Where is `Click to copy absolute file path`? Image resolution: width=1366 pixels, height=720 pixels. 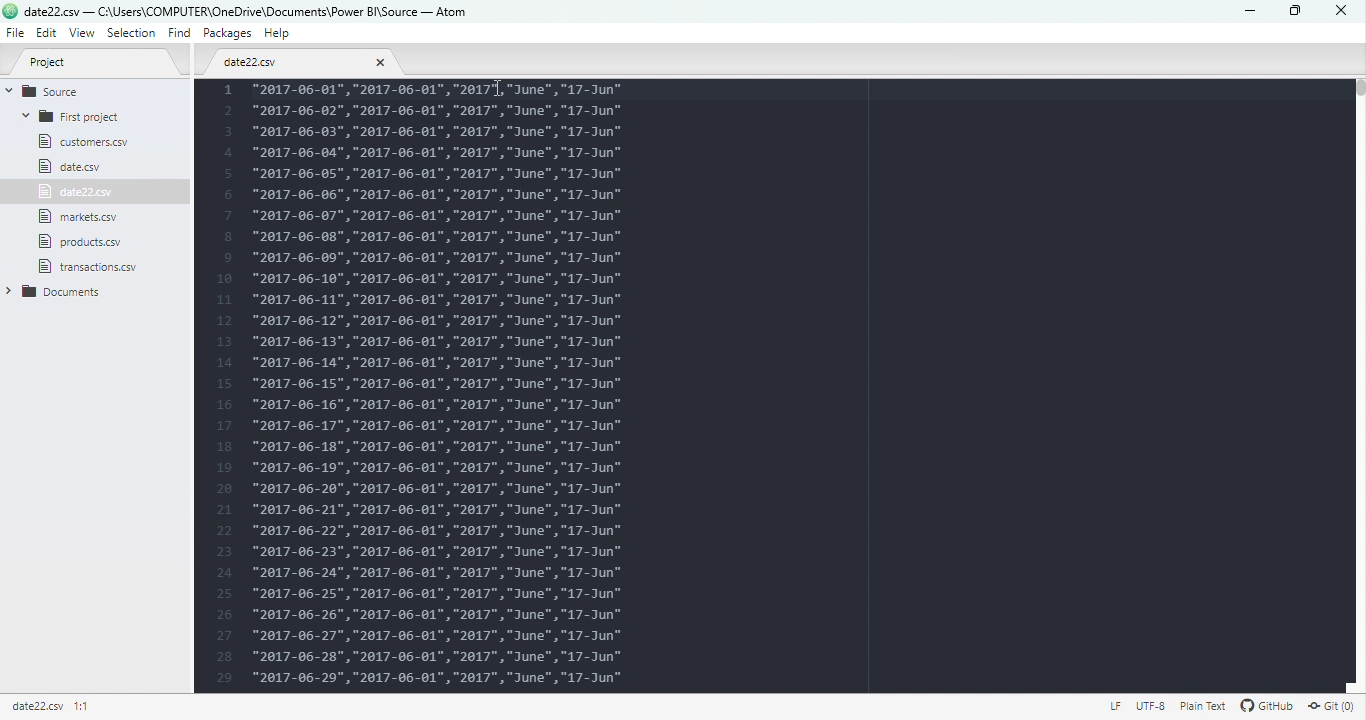
Click to copy absolute file path is located at coordinates (38, 706).